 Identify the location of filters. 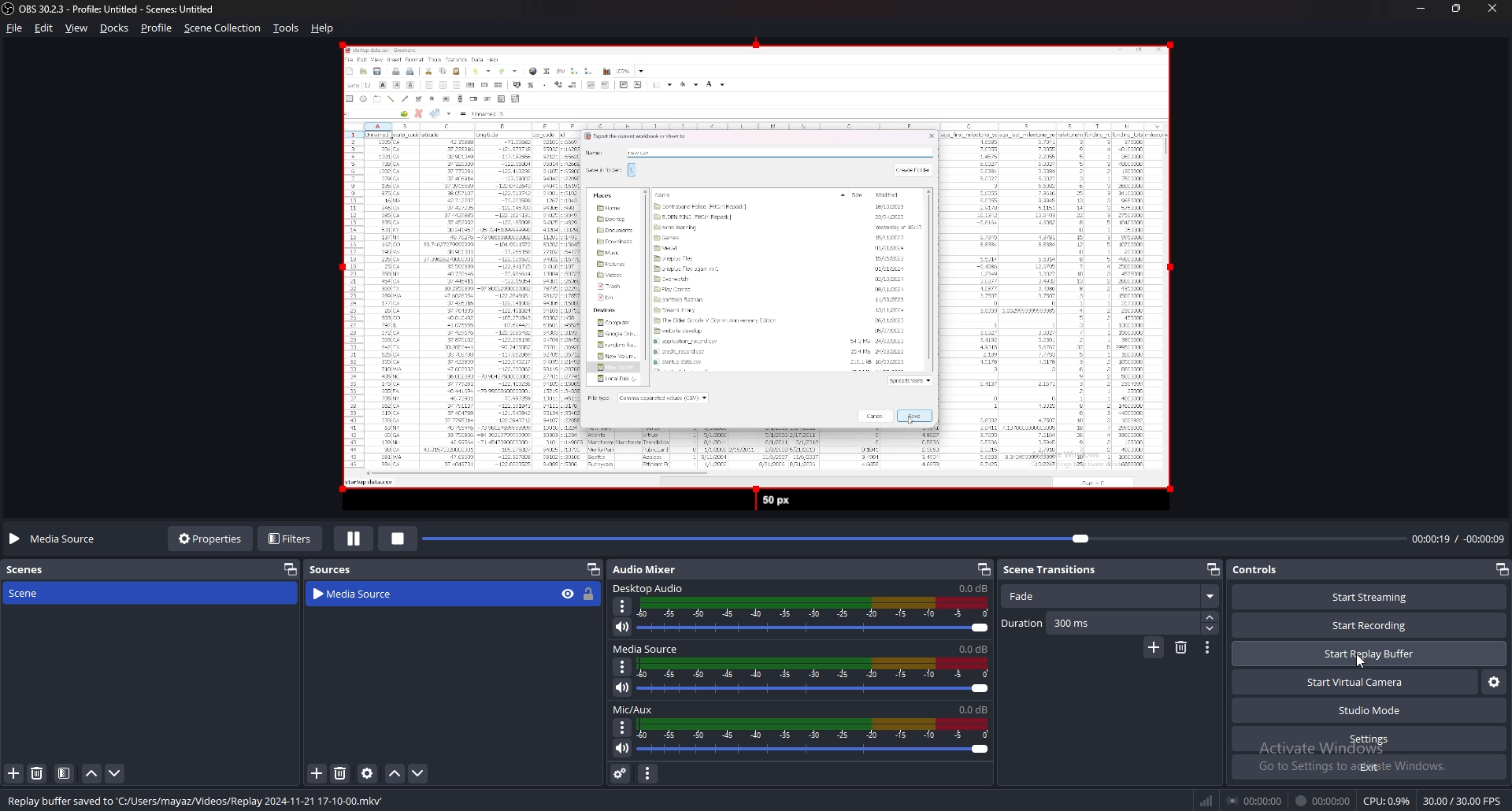
(291, 539).